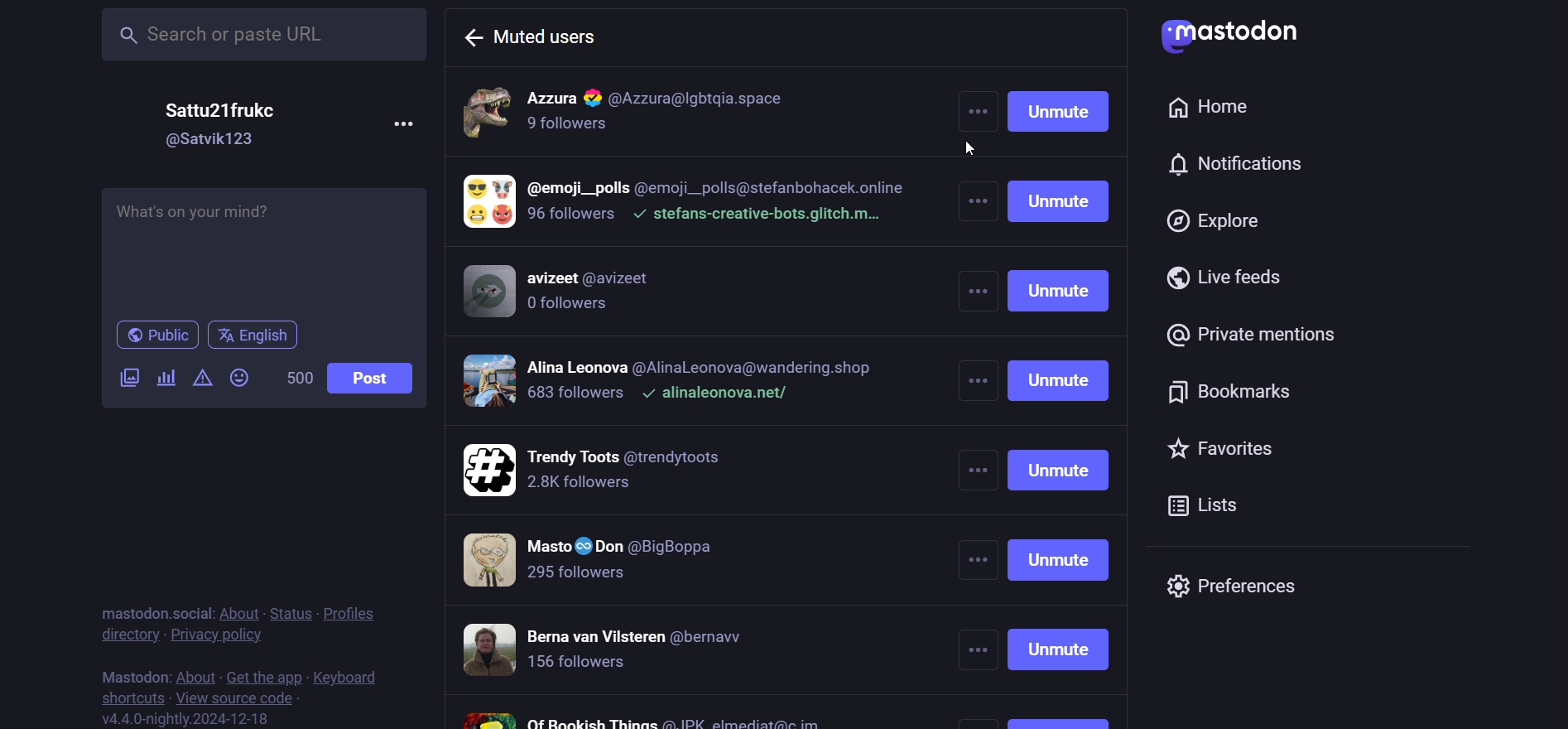 Image resolution: width=1568 pixels, height=729 pixels. What do you see at coordinates (129, 676) in the screenshot?
I see `mastodon` at bounding box center [129, 676].